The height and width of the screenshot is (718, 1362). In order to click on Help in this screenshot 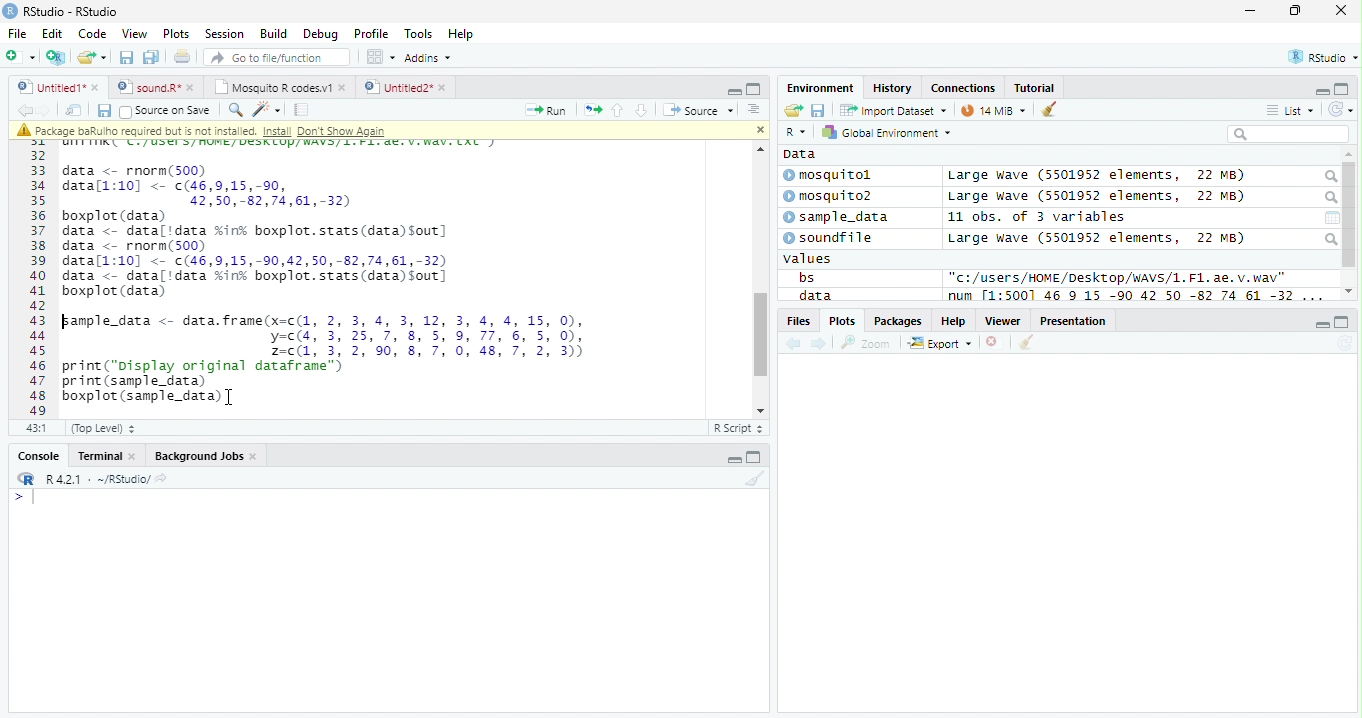, I will do `click(954, 320)`.